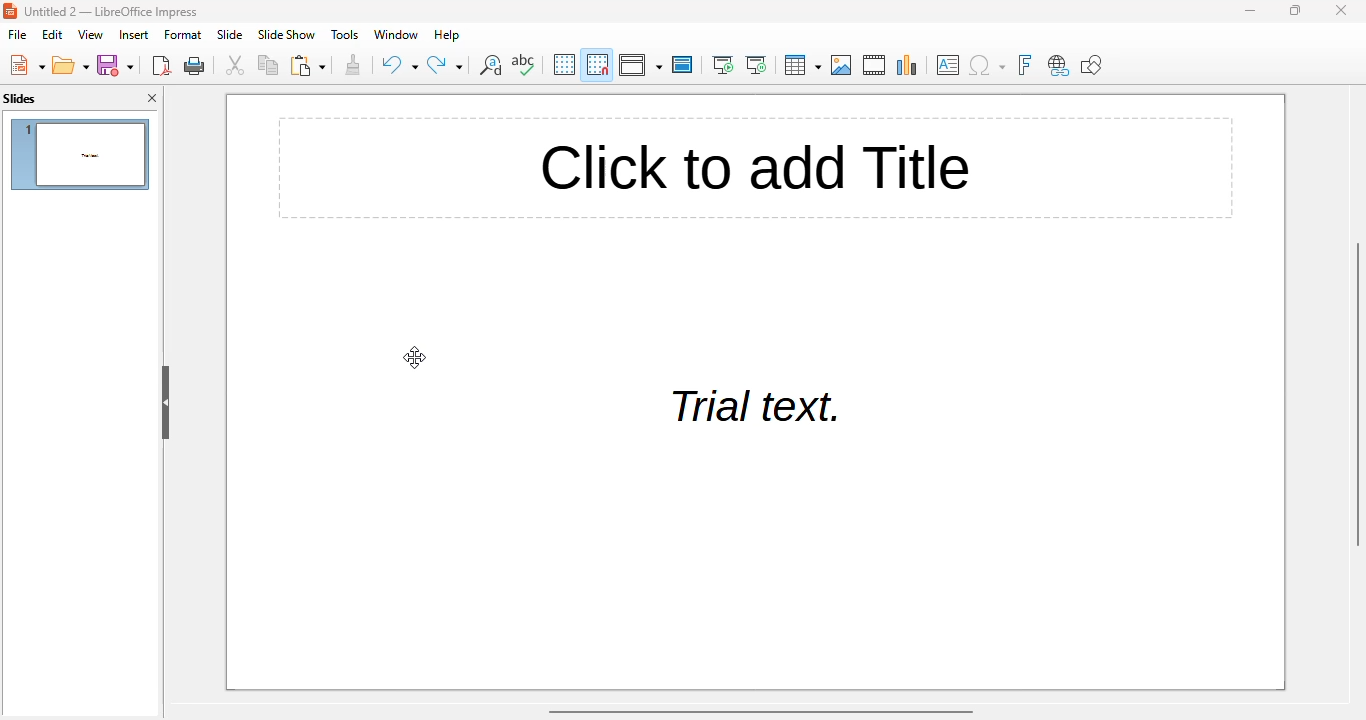 The width and height of the screenshot is (1366, 720). I want to click on slideshow, so click(286, 35).